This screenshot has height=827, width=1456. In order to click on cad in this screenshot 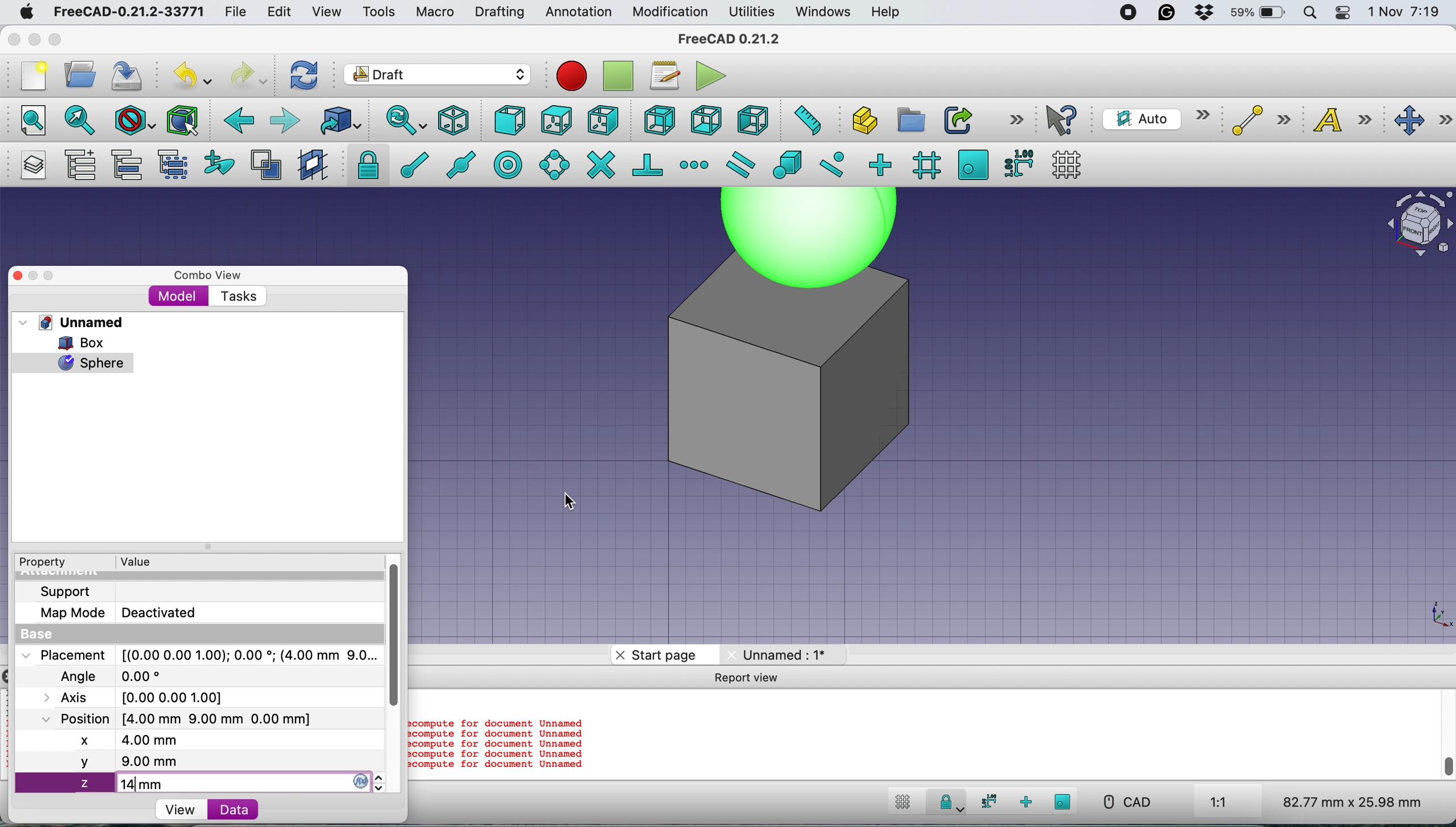, I will do `click(1126, 802)`.